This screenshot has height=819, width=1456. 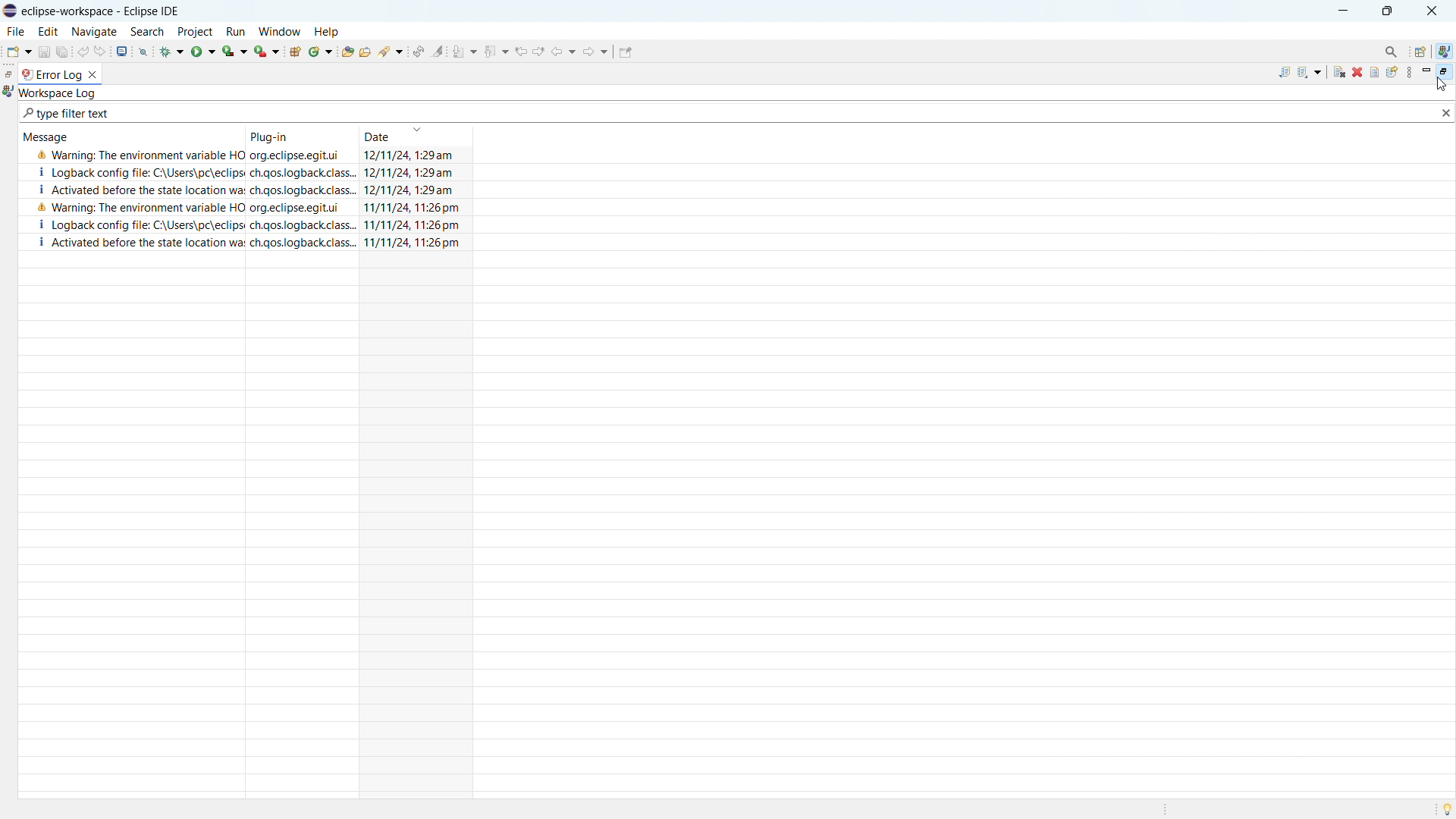 What do you see at coordinates (1443, 72) in the screenshot?
I see `maximize` at bounding box center [1443, 72].